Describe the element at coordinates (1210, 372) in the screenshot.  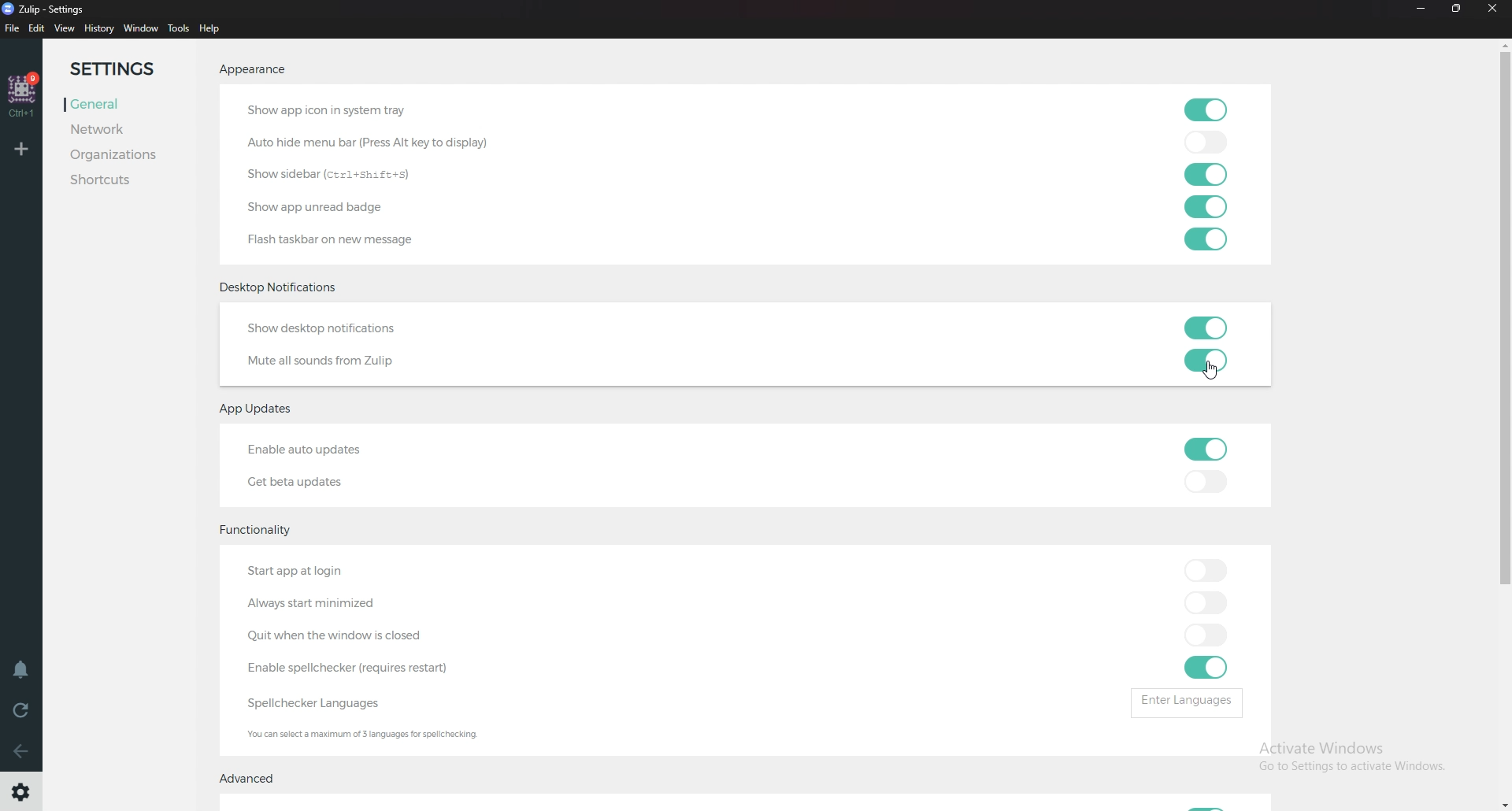
I see `cursor` at that location.